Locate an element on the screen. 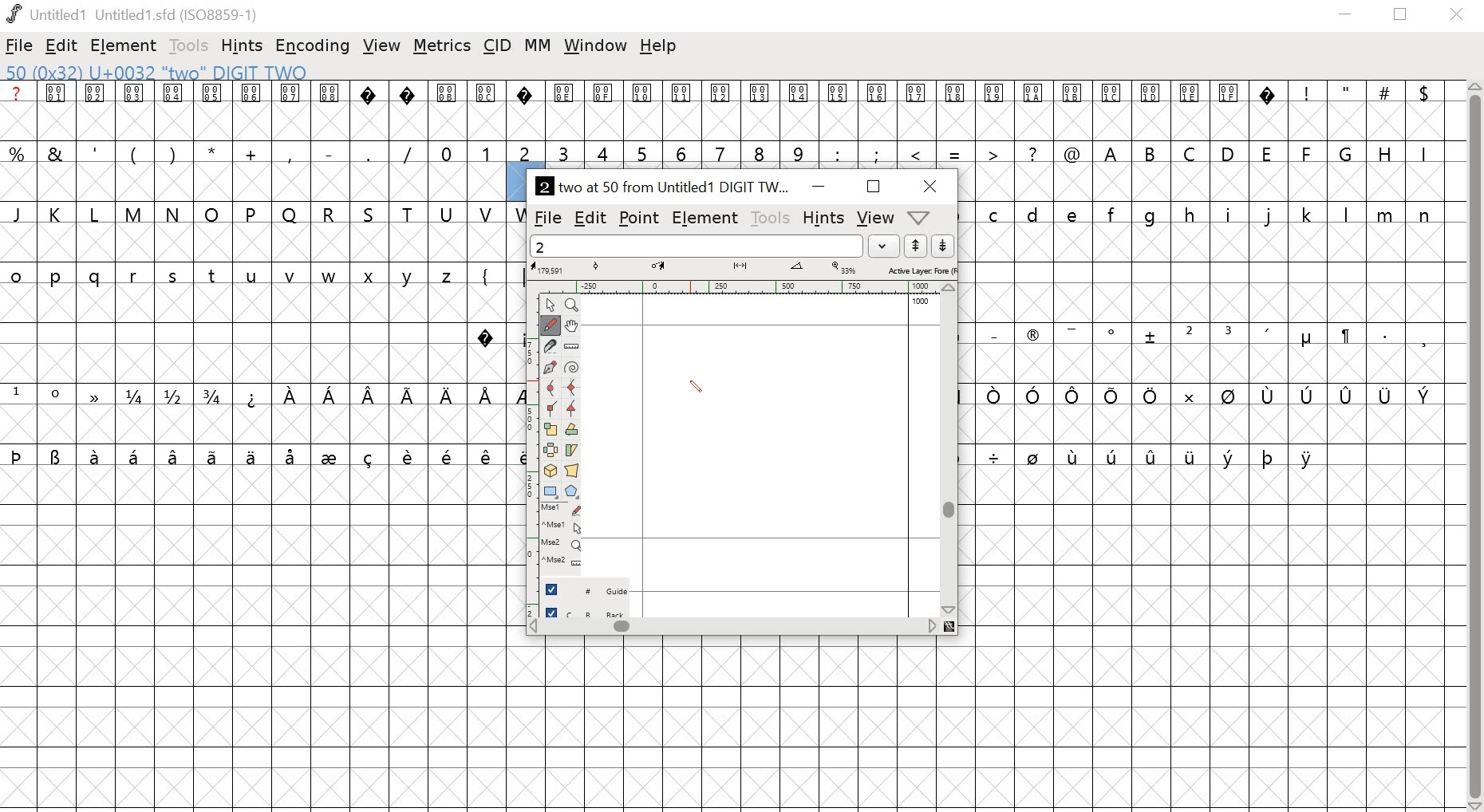 The image size is (1484, 812). scrollbar is located at coordinates (948, 450).